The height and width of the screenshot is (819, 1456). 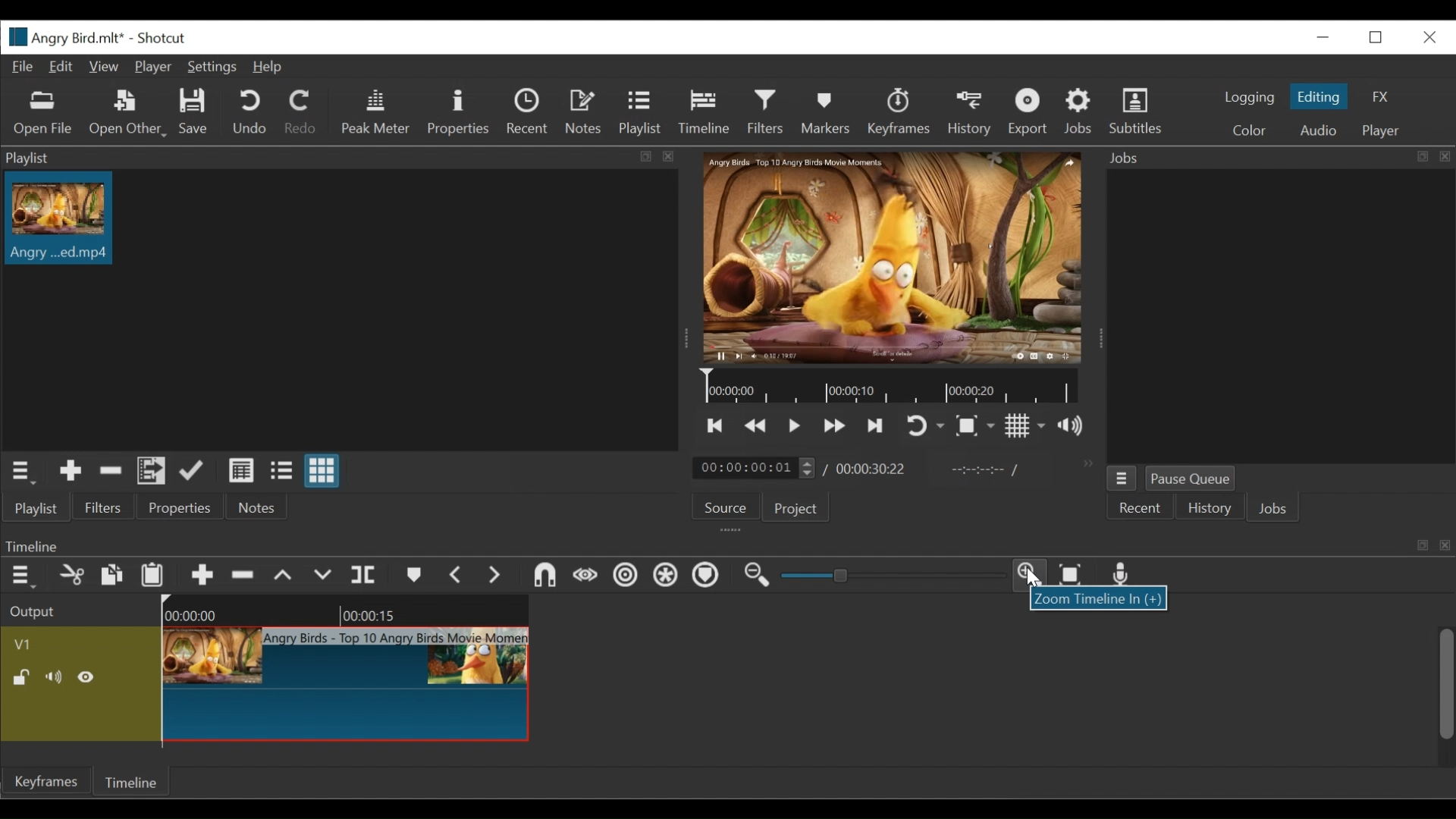 What do you see at coordinates (767, 112) in the screenshot?
I see `Filters` at bounding box center [767, 112].